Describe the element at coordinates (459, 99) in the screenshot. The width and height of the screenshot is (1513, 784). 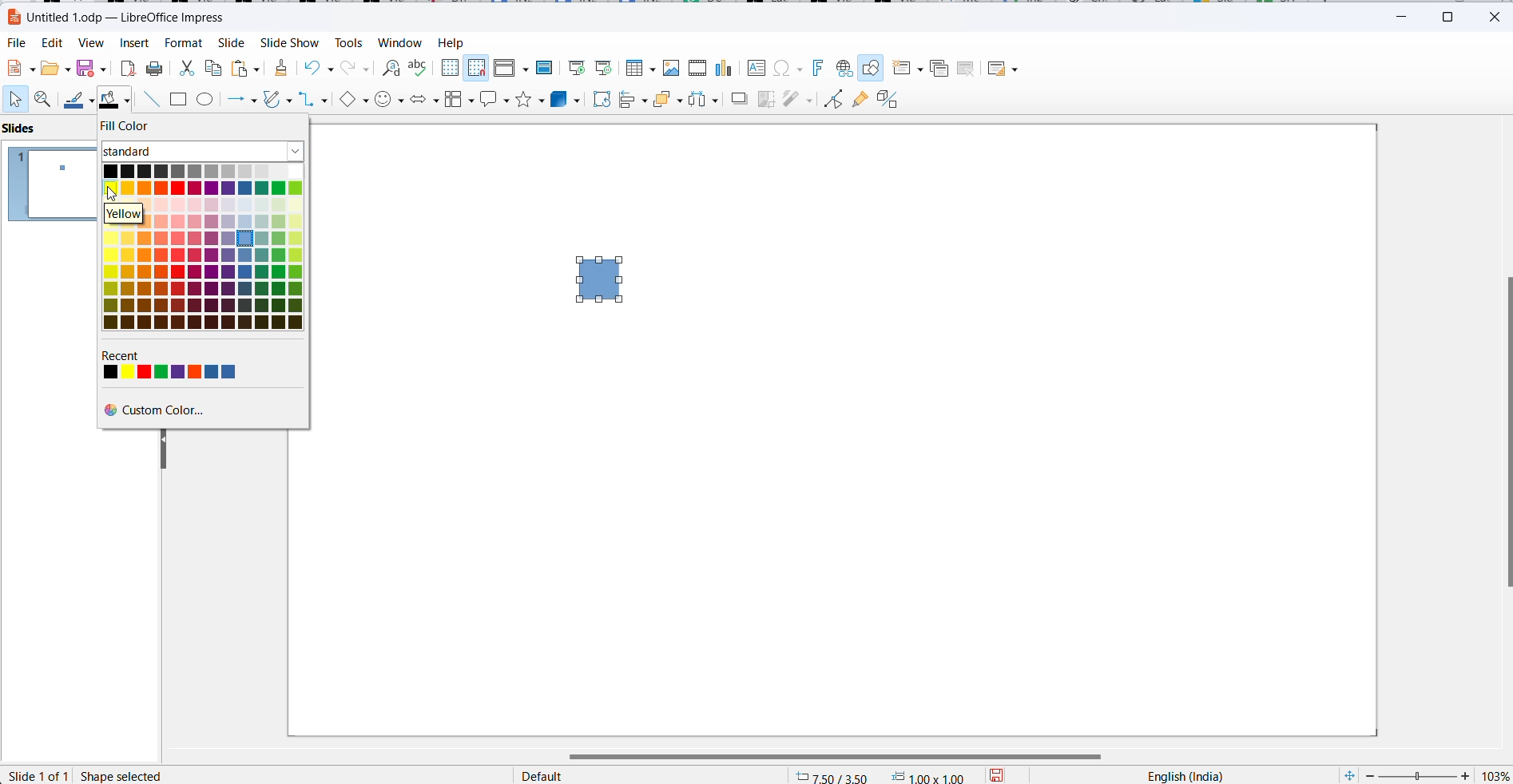
I see `flowchart ` at that location.